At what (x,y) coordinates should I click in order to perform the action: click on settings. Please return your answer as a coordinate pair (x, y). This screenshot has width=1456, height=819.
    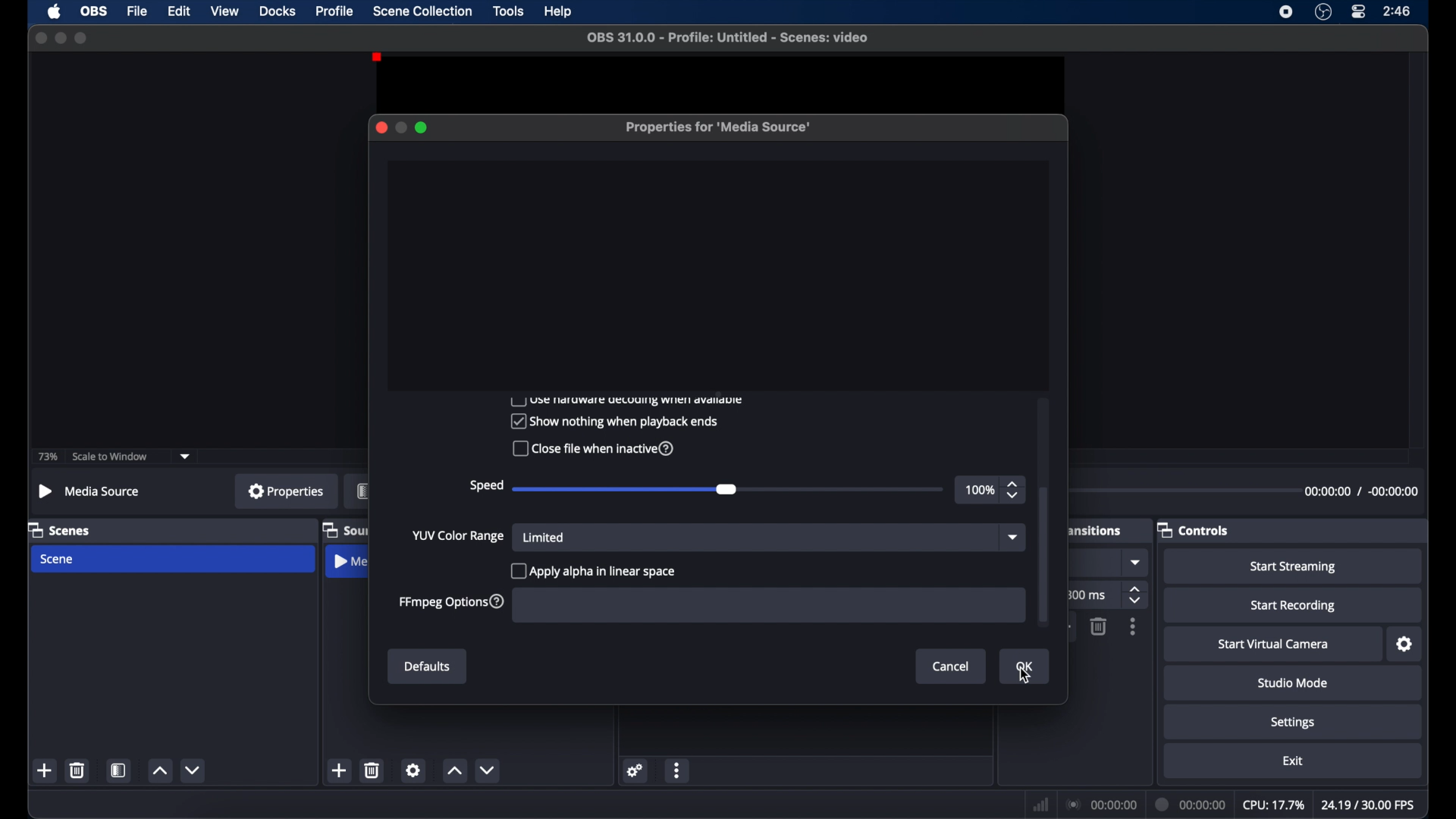
    Looking at the image, I should click on (1405, 645).